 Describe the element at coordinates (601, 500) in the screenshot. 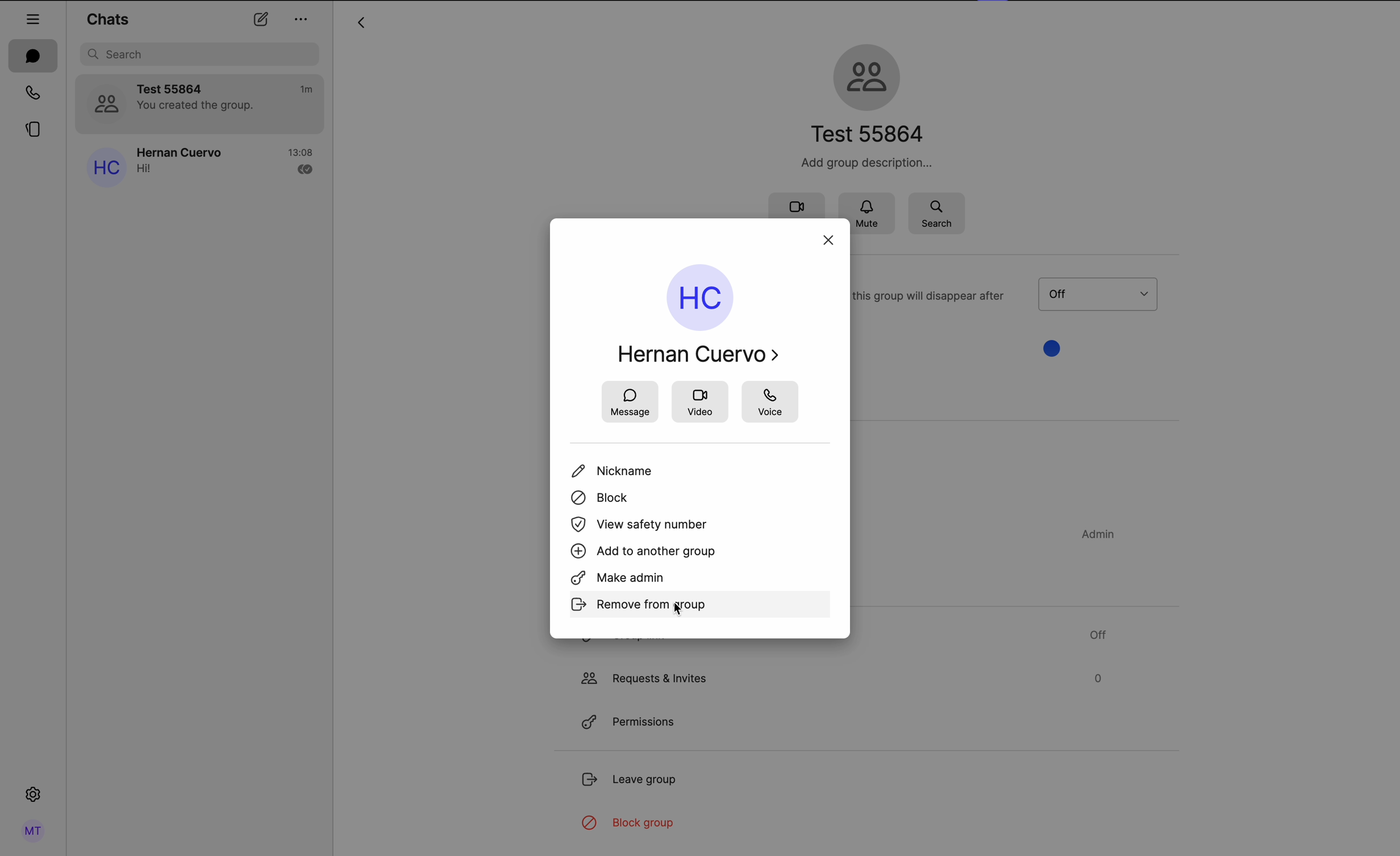

I see `block` at that location.